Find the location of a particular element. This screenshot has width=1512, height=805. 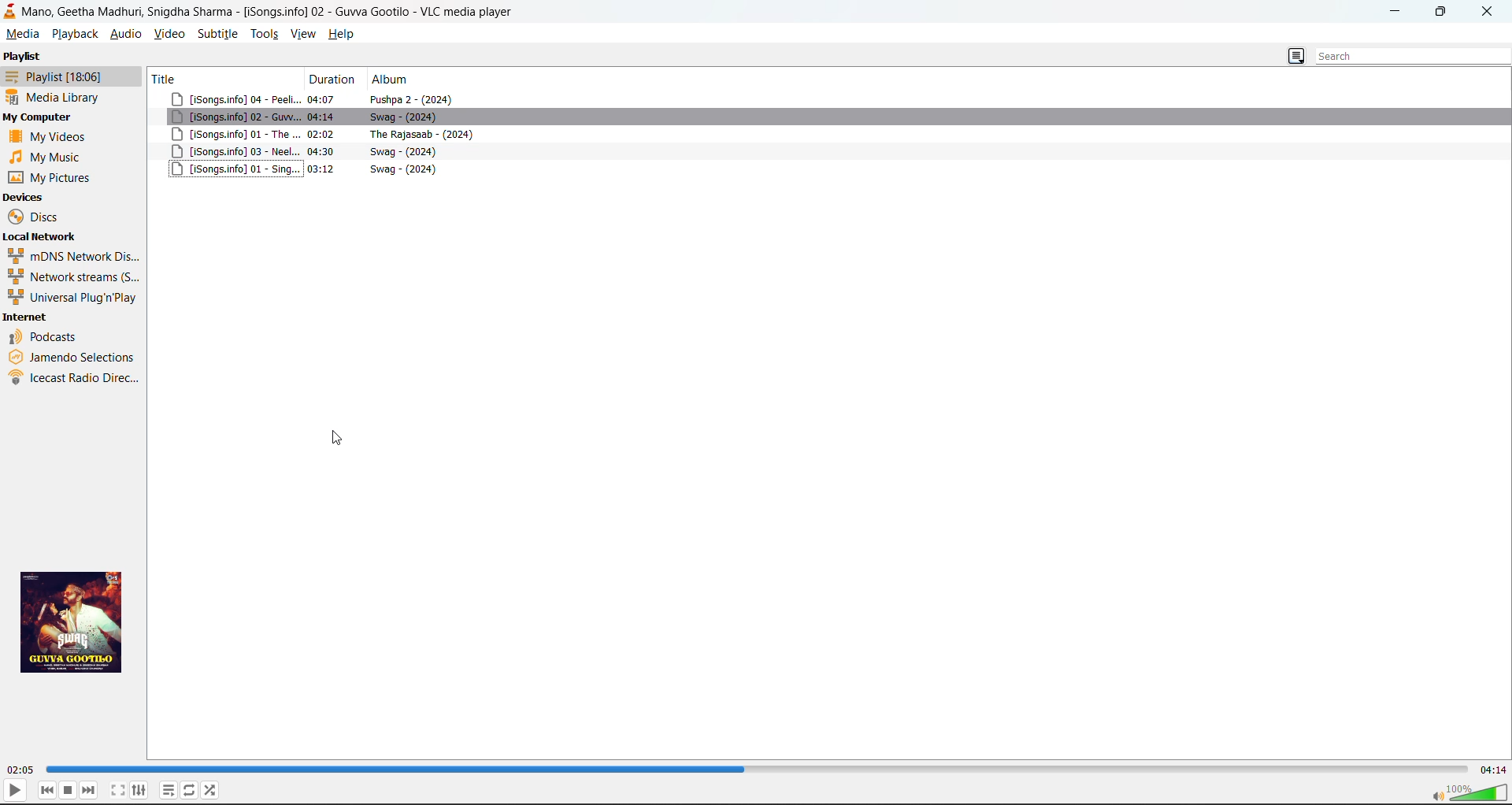

song is located at coordinates (830, 118).